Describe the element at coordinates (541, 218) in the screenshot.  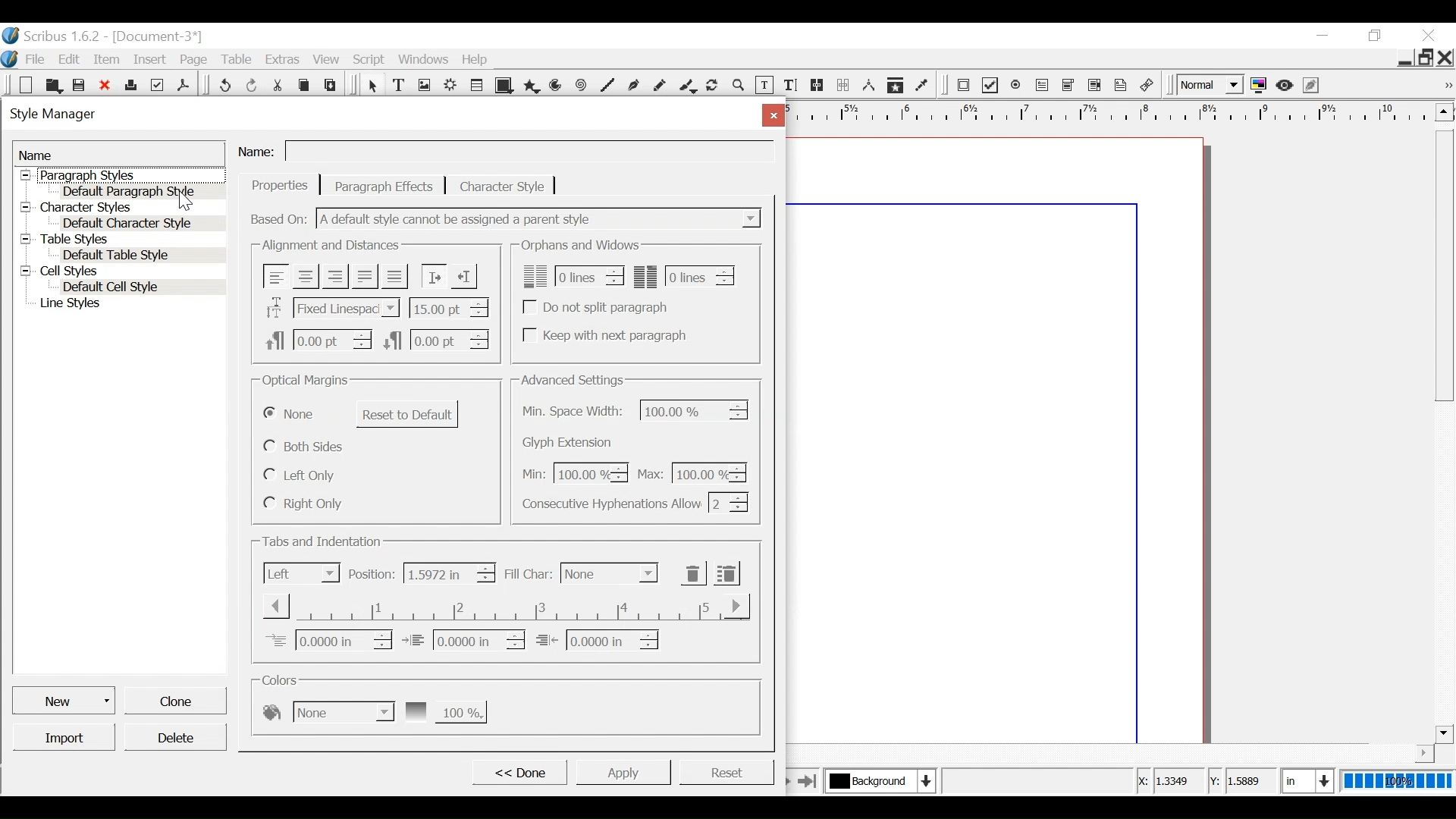
I see `Dropdown` at that location.